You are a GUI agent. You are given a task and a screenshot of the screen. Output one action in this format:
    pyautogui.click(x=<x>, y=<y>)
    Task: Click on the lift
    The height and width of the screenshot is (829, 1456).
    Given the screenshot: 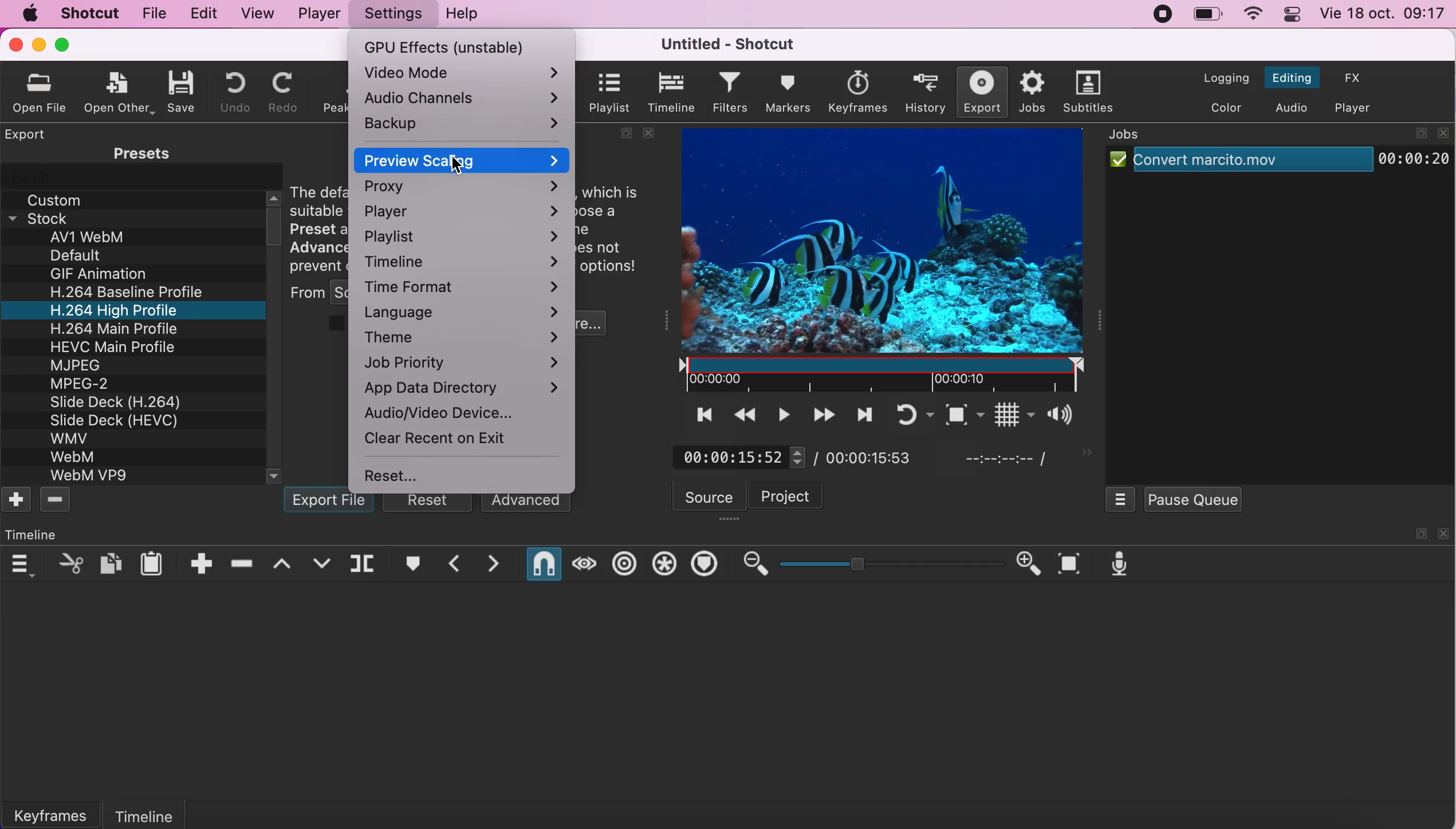 What is the action you would take?
    pyautogui.click(x=283, y=564)
    